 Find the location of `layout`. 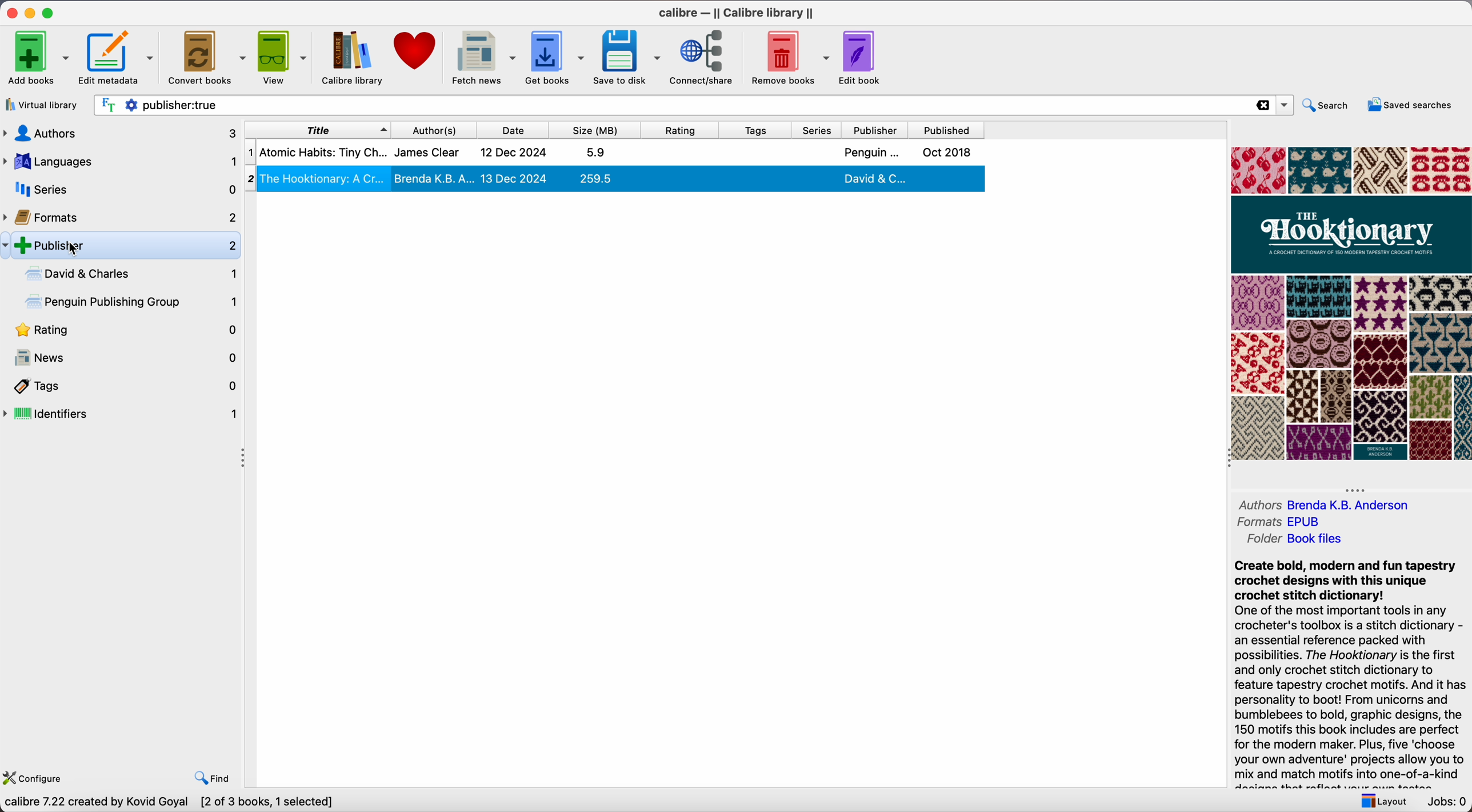

layout is located at coordinates (1381, 800).